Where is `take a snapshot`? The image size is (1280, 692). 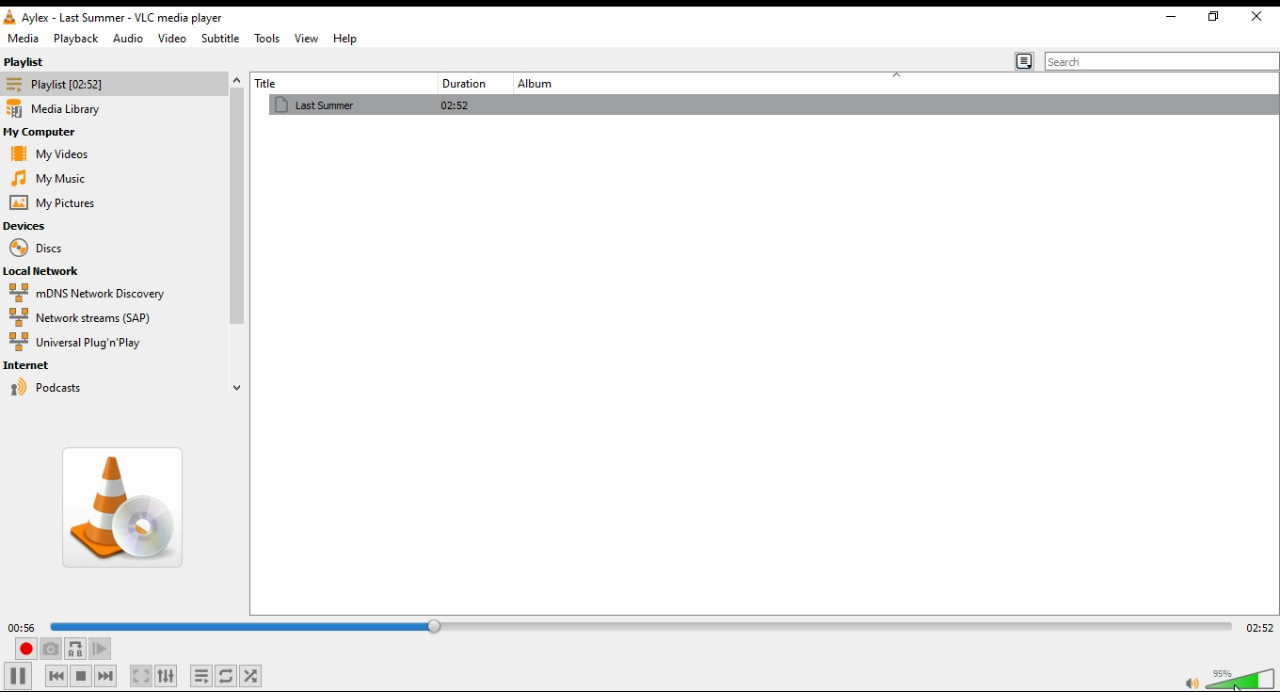
take a snapshot is located at coordinates (50, 649).